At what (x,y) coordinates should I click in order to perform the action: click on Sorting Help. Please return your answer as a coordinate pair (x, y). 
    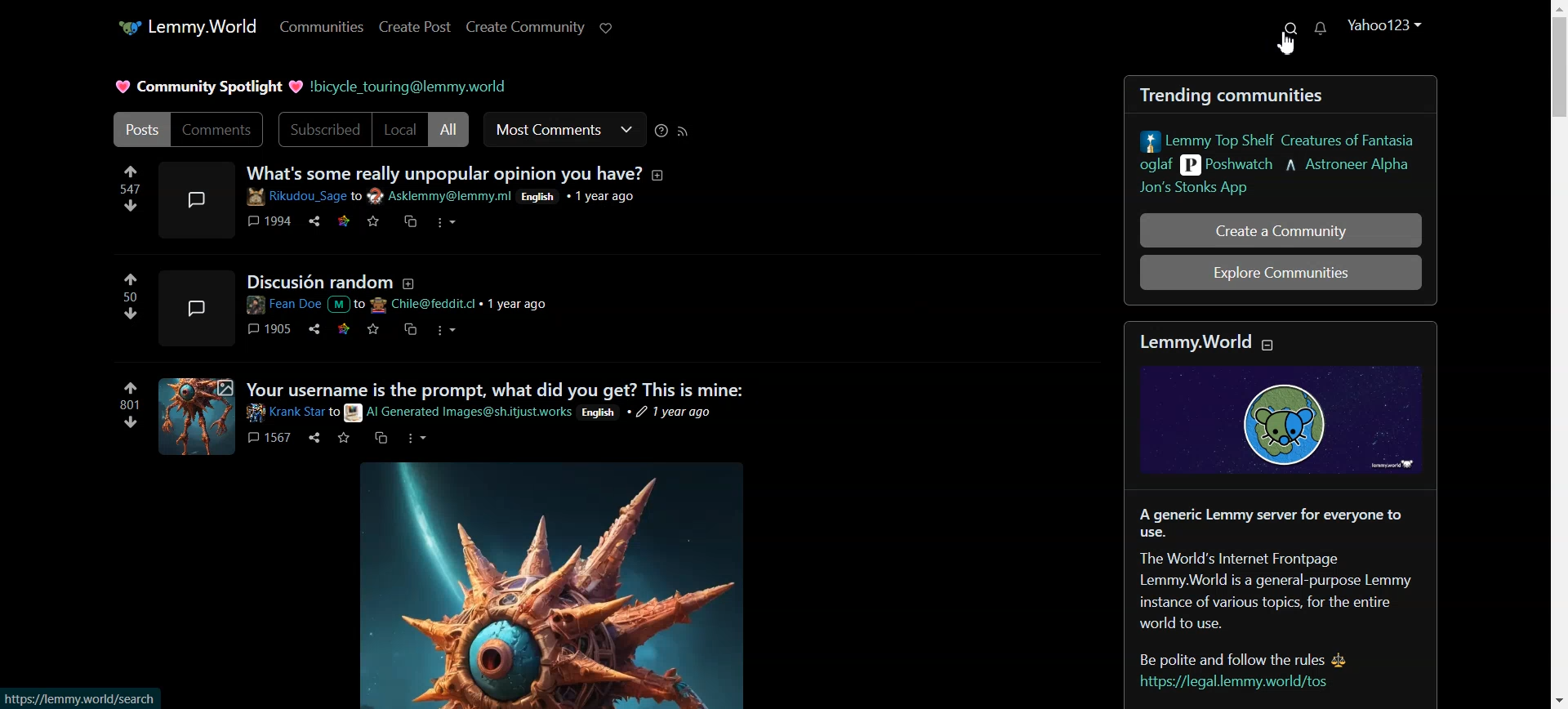
    Looking at the image, I should click on (660, 131).